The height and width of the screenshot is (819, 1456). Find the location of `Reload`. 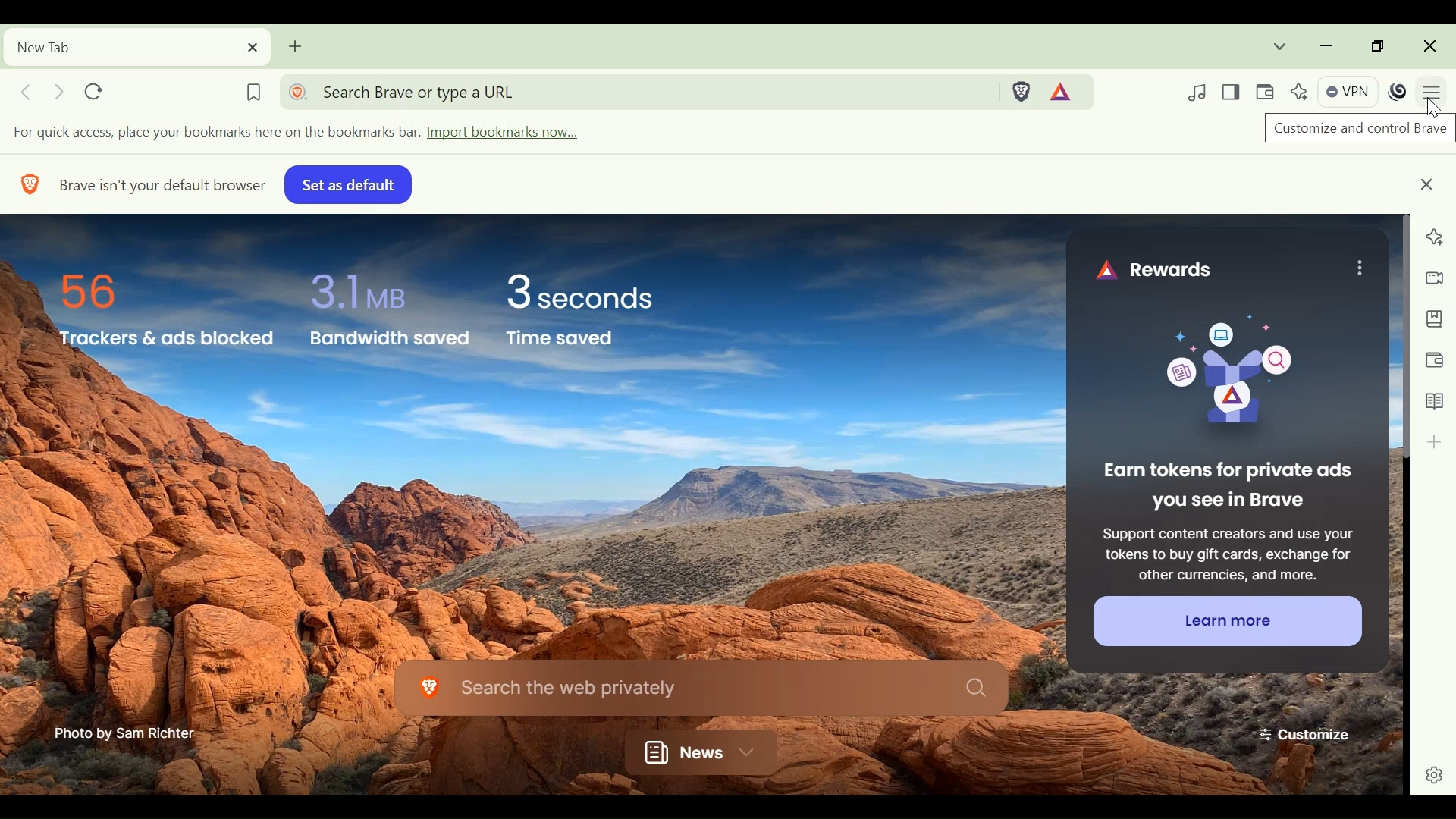

Reload is located at coordinates (97, 88).